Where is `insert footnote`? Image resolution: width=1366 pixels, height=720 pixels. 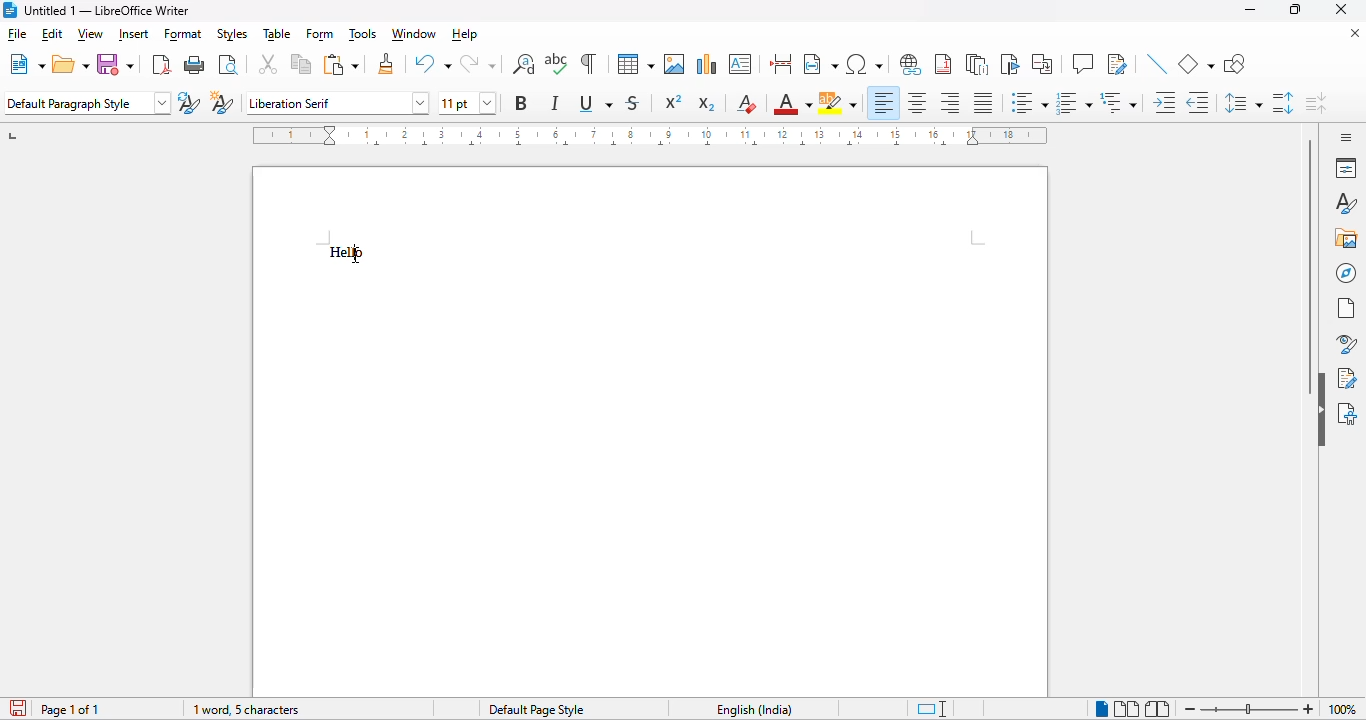
insert footnote is located at coordinates (943, 65).